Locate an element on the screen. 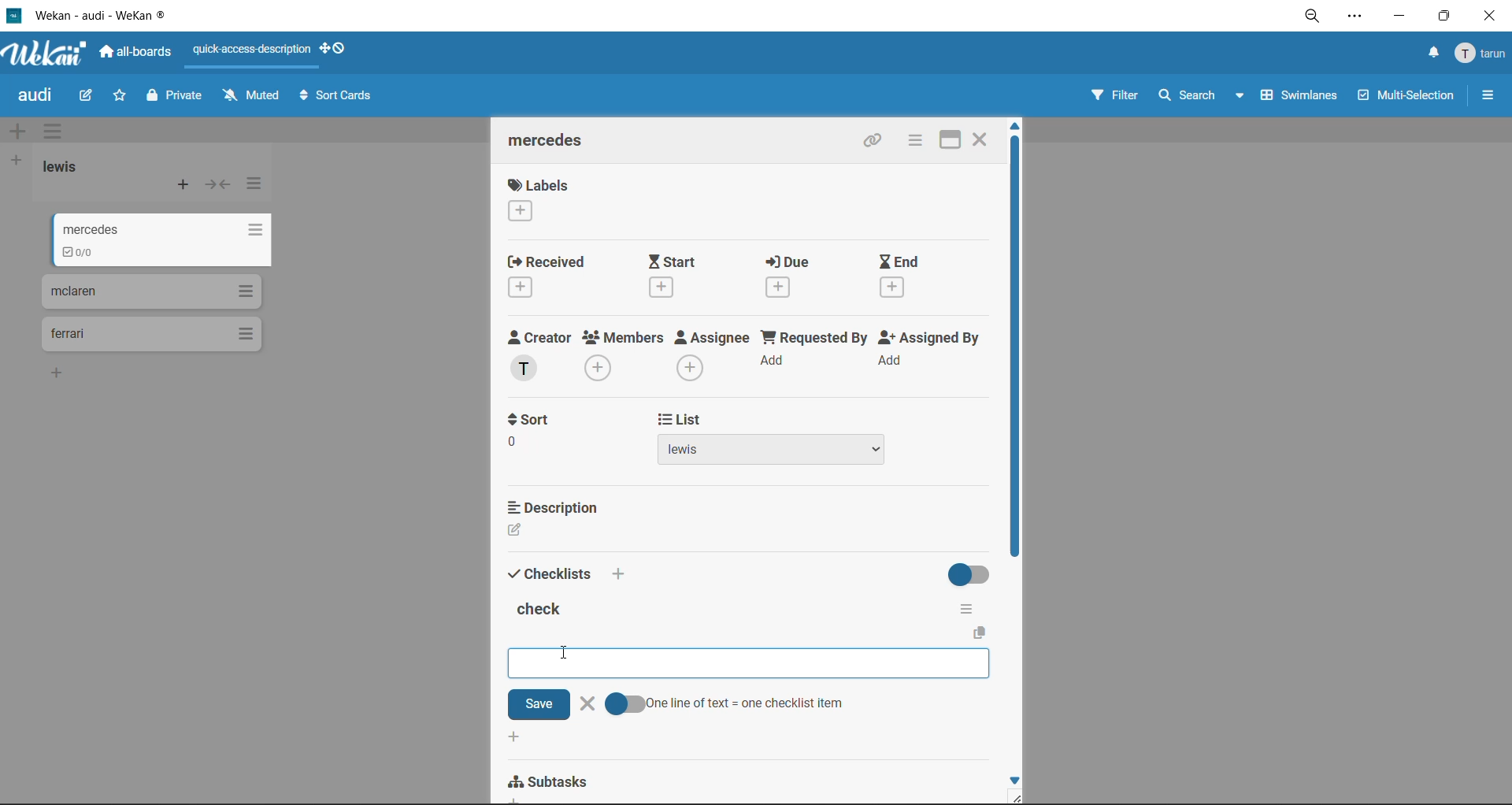 The height and width of the screenshot is (805, 1512). quick access description is located at coordinates (256, 50).